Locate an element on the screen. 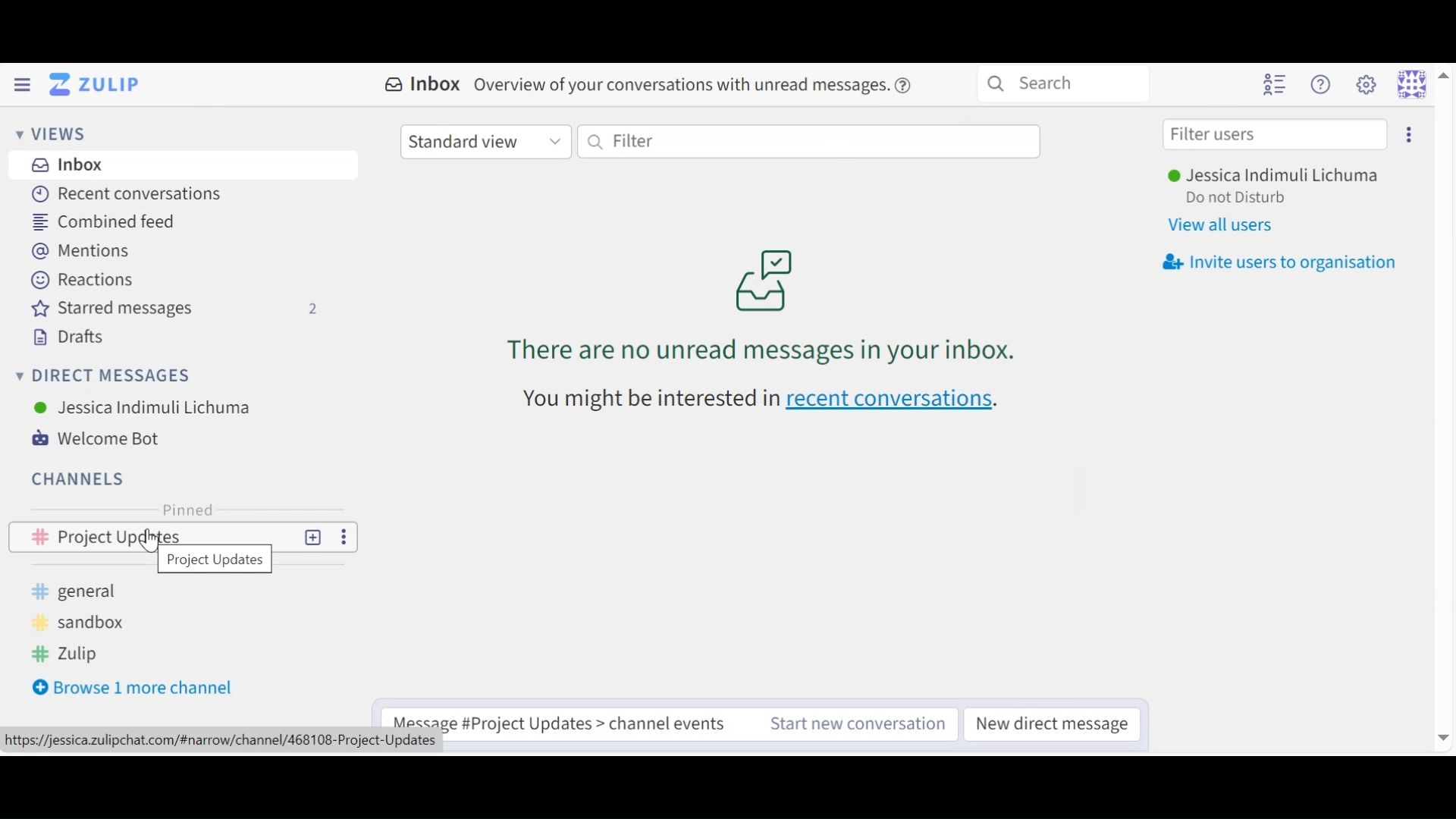  Direct Messages is located at coordinates (102, 375).